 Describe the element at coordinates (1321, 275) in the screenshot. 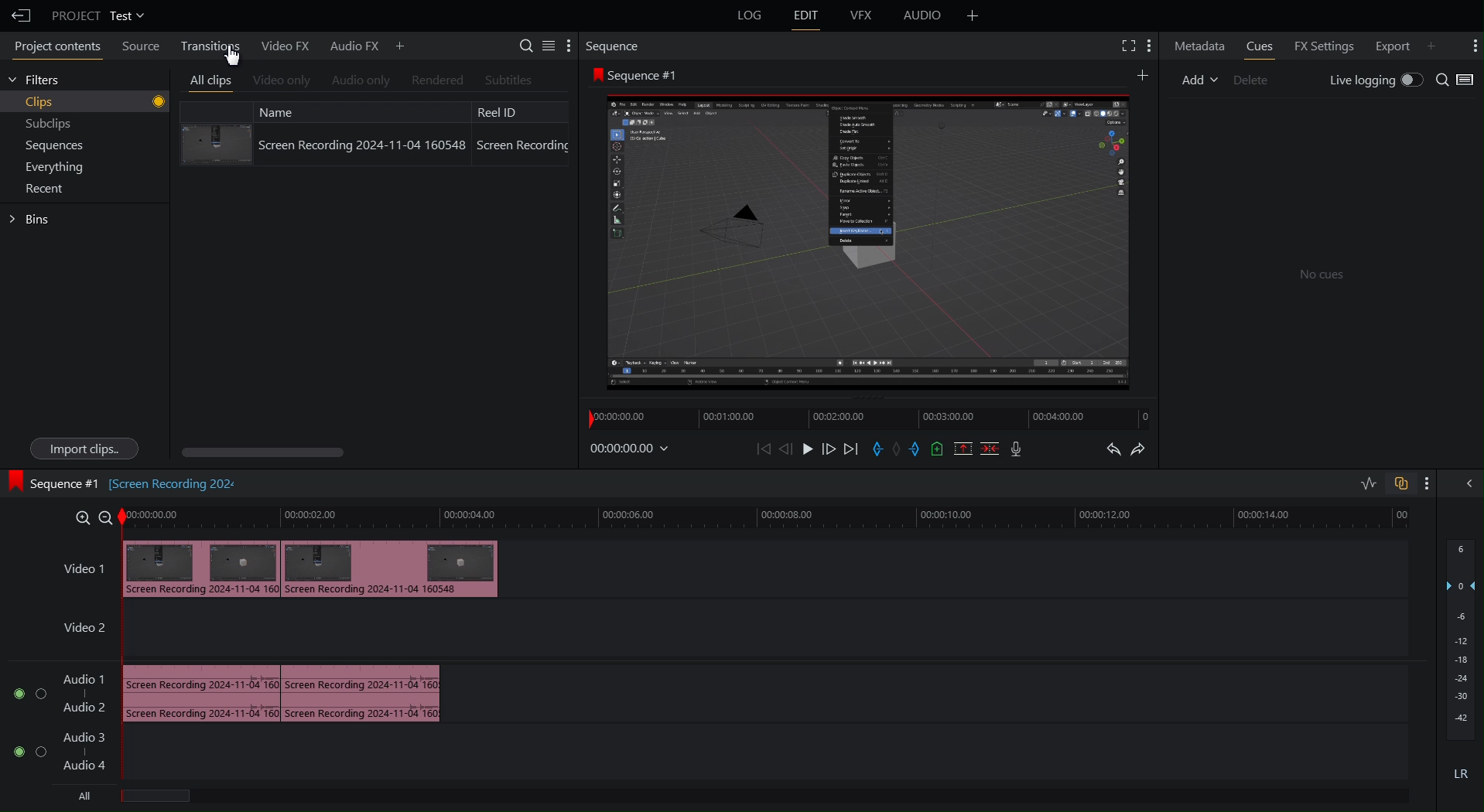

I see `No cues` at that location.